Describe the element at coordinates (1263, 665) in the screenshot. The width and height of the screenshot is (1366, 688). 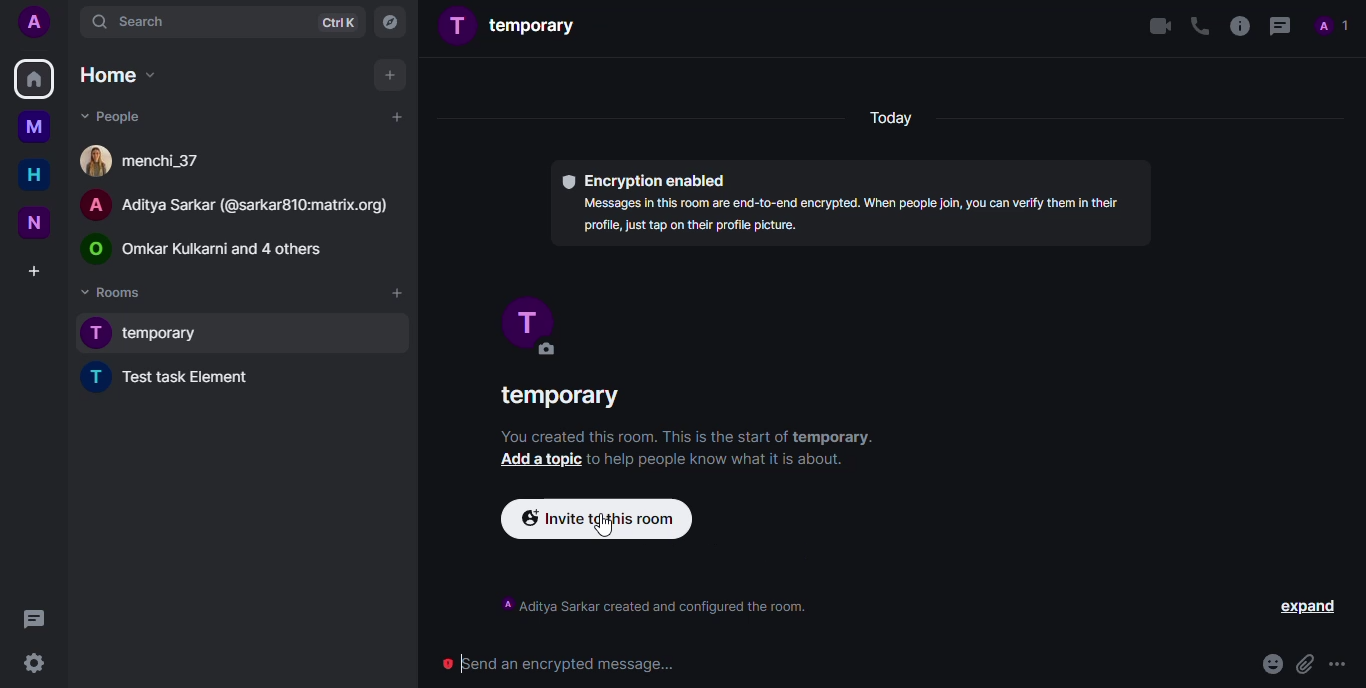
I see `emoji` at that location.